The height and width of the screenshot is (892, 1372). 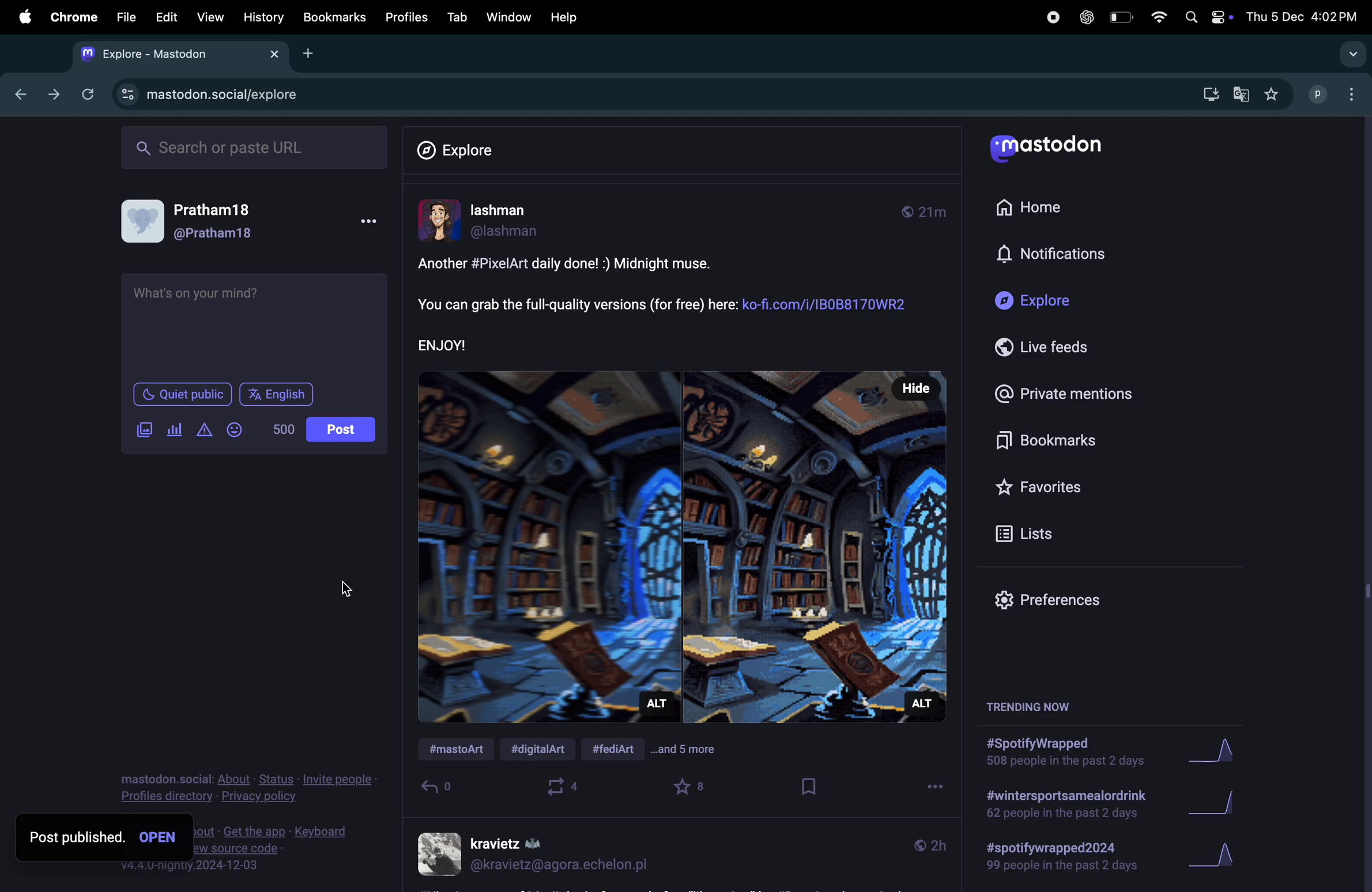 I want to click on options, so click(x=929, y=789).